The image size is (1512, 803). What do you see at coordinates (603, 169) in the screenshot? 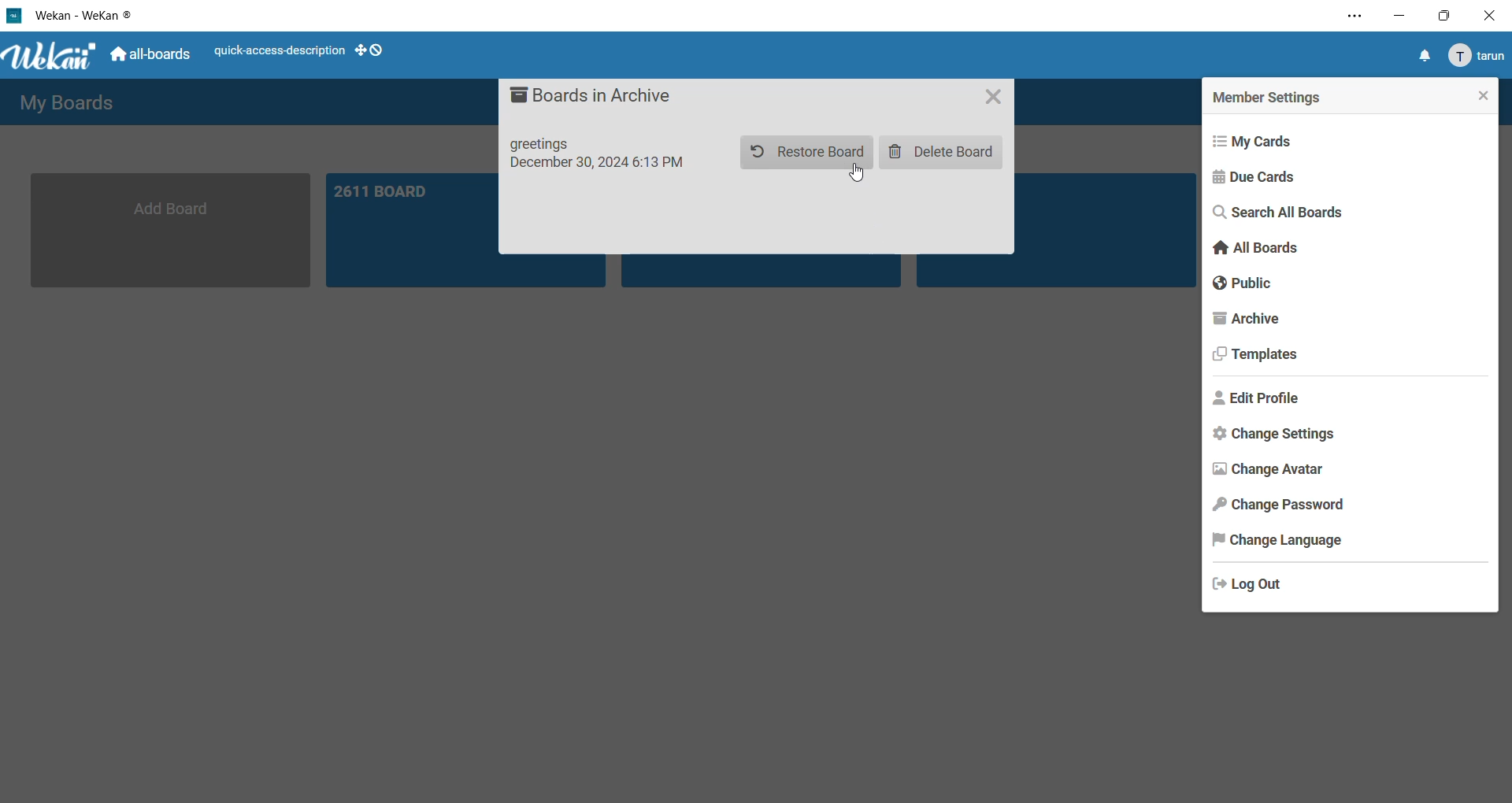
I see `december 30,2024 6.13 pm` at bounding box center [603, 169].